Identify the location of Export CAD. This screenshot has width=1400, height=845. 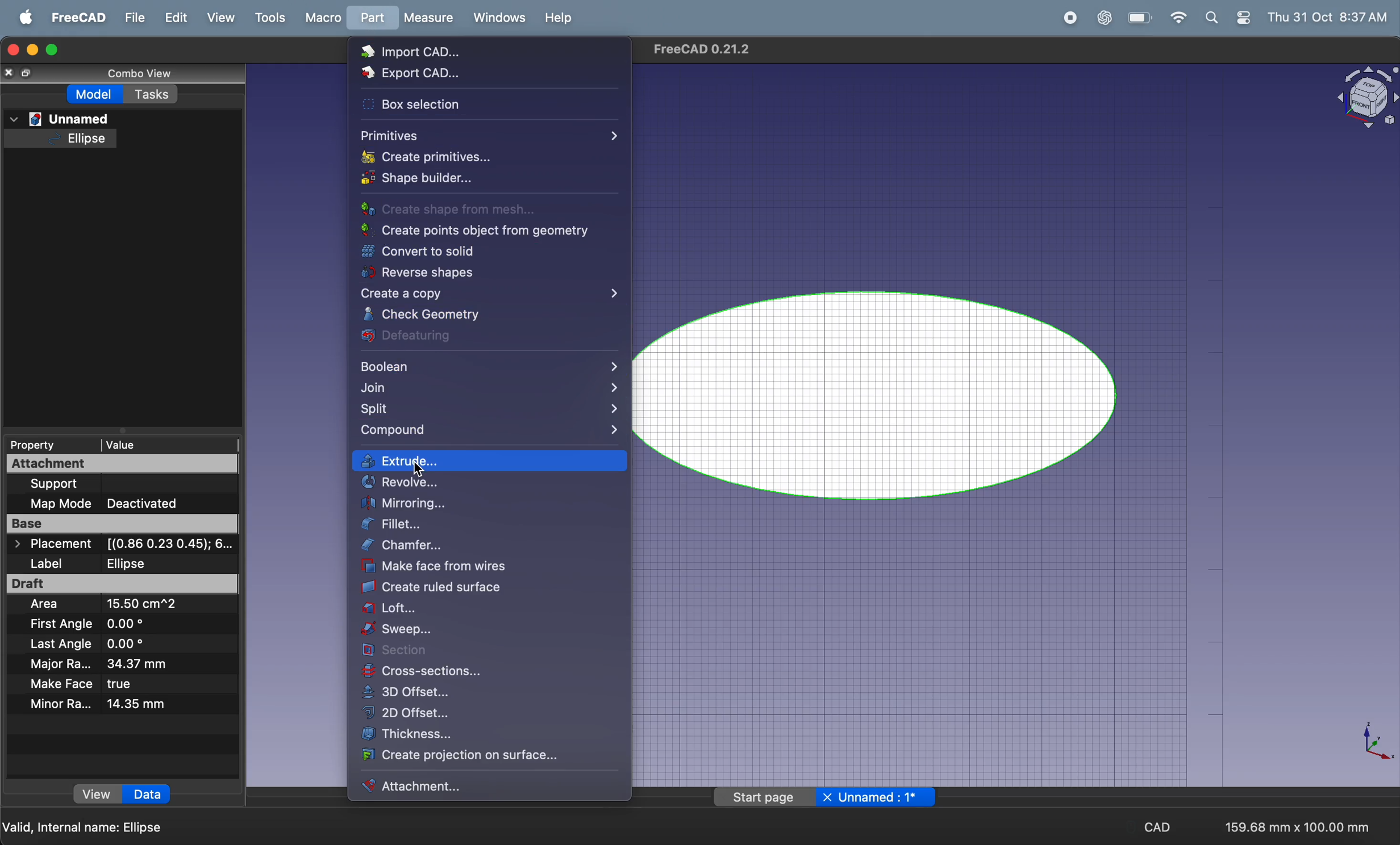
(460, 77).